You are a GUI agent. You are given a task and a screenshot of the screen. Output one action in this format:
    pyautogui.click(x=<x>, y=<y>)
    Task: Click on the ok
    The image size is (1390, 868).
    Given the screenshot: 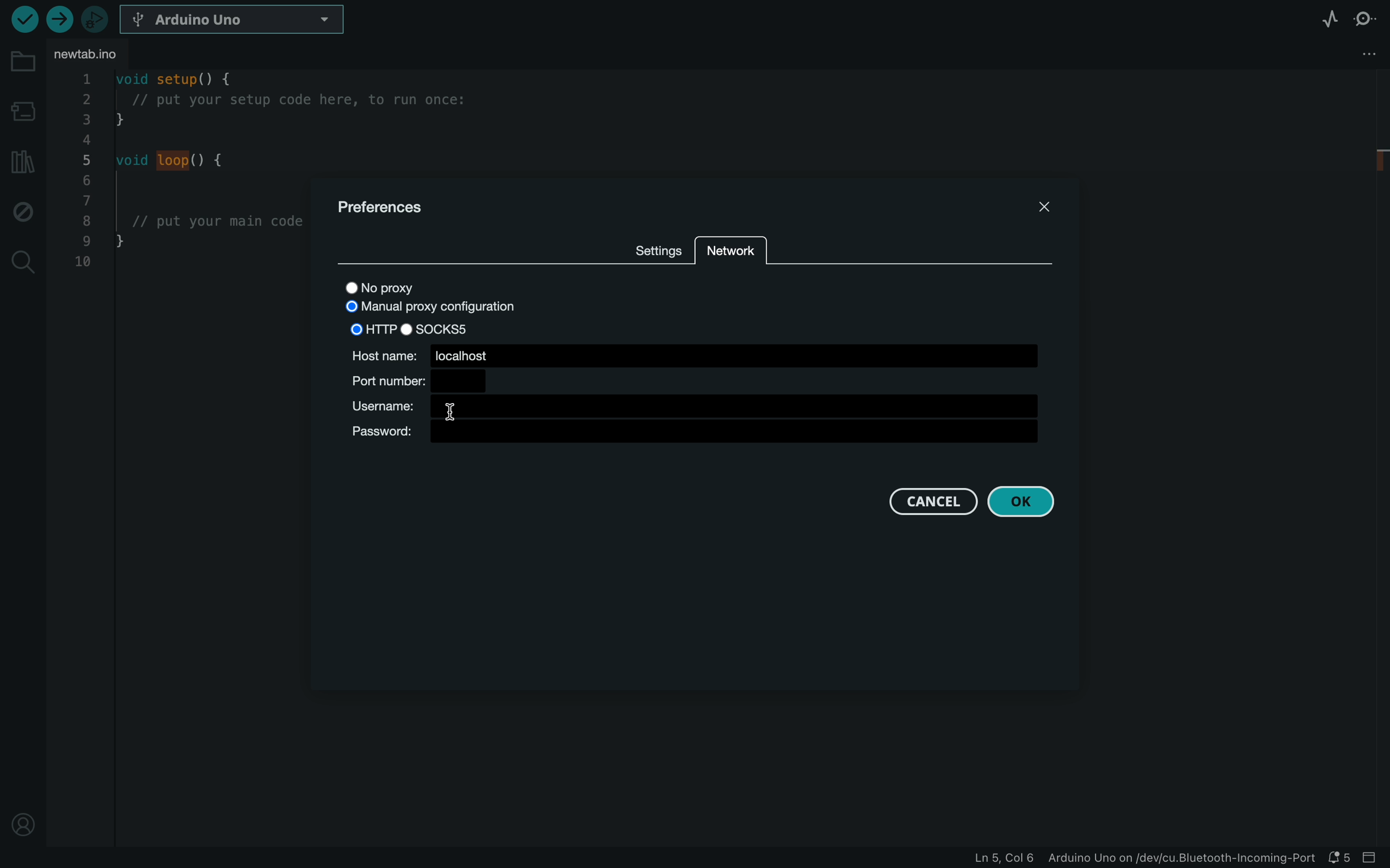 What is the action you would take?
    pyautogui.click(x=1020, y=502)
    